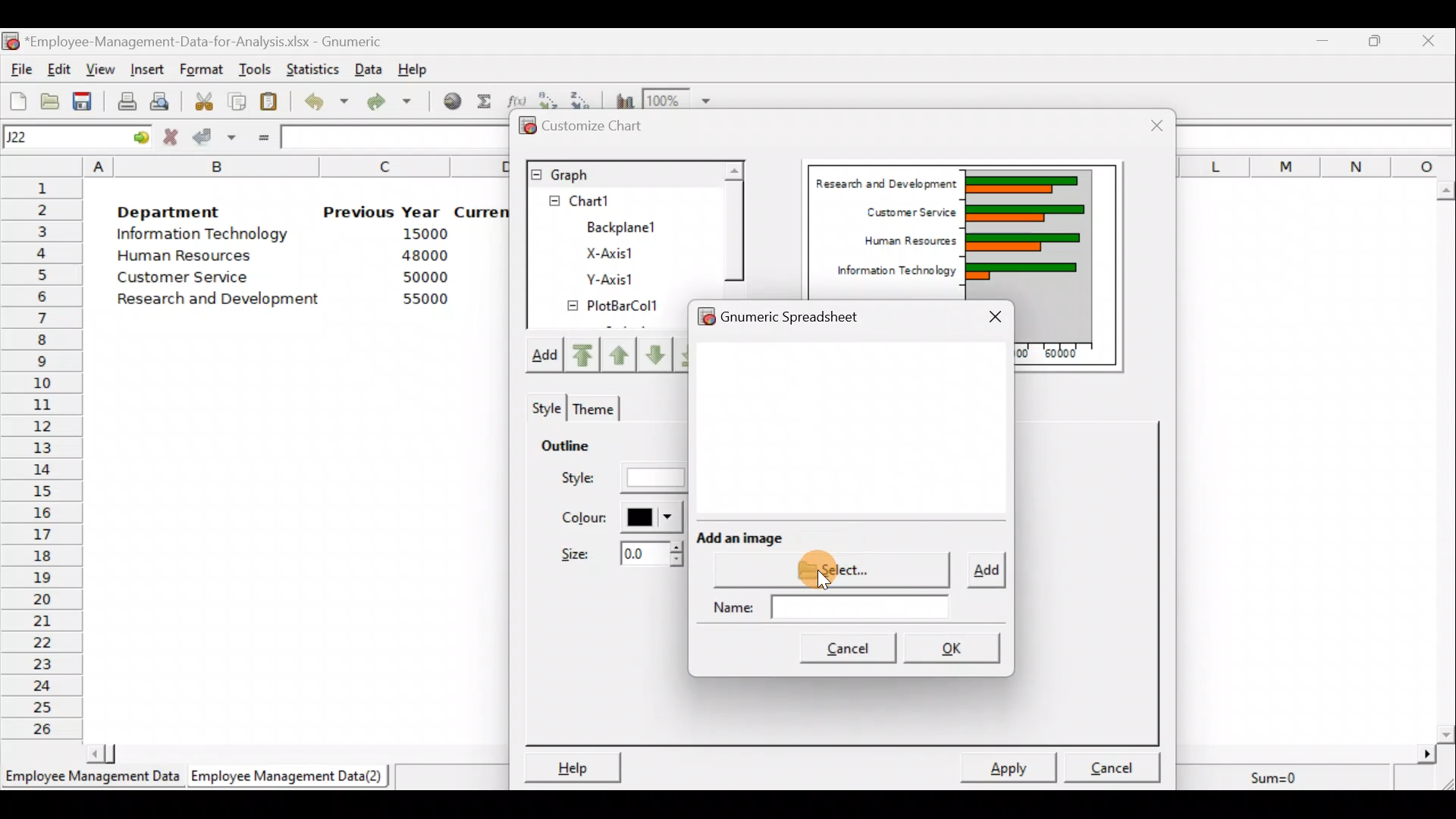 The height and width of the screenshot is (819, 1456). Describe the element at coordinates (124, 99) in the screenshot. I see `Print current file` at that location.